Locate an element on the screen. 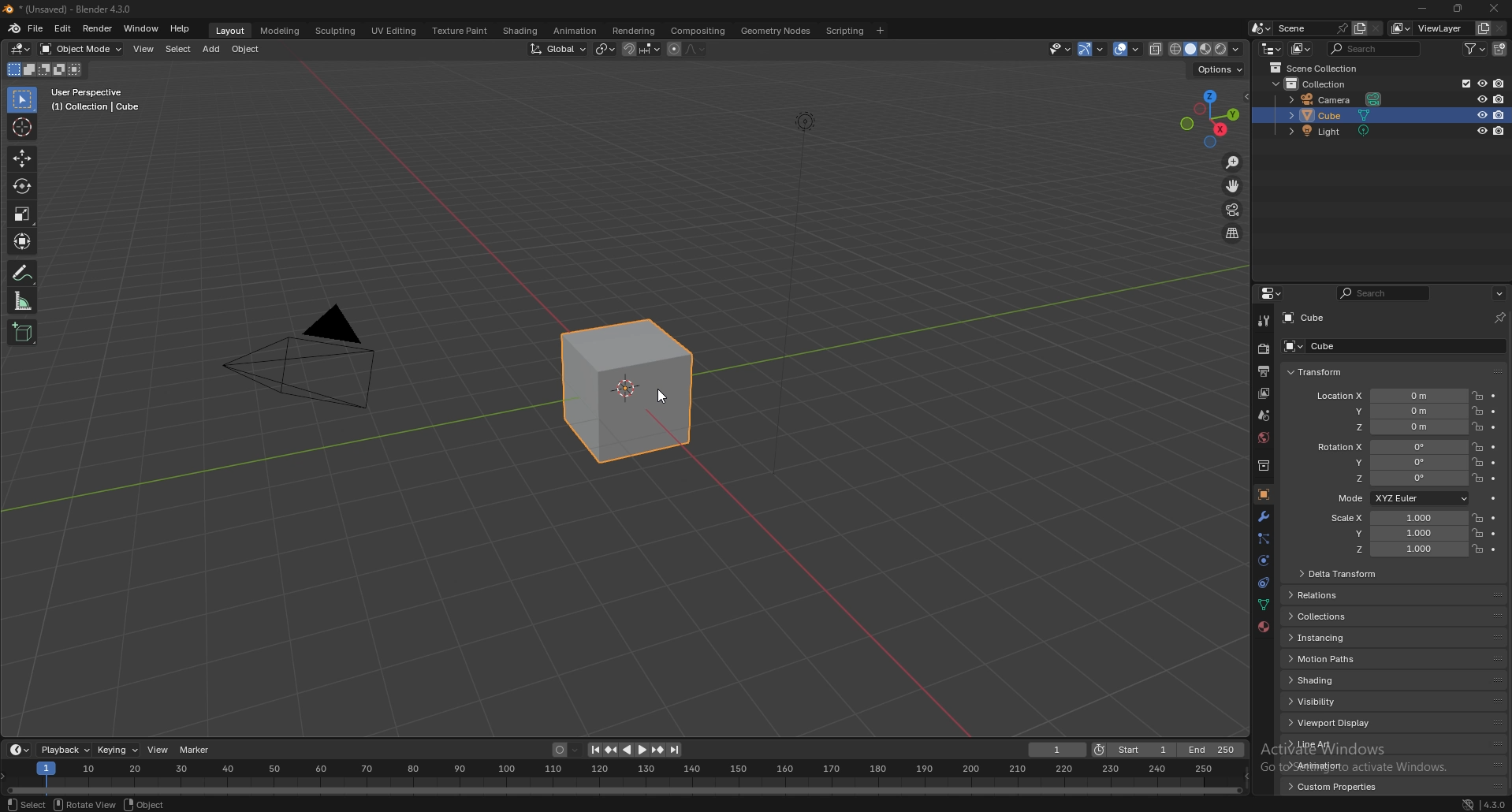  materials is located at coordinates (1264, 627).